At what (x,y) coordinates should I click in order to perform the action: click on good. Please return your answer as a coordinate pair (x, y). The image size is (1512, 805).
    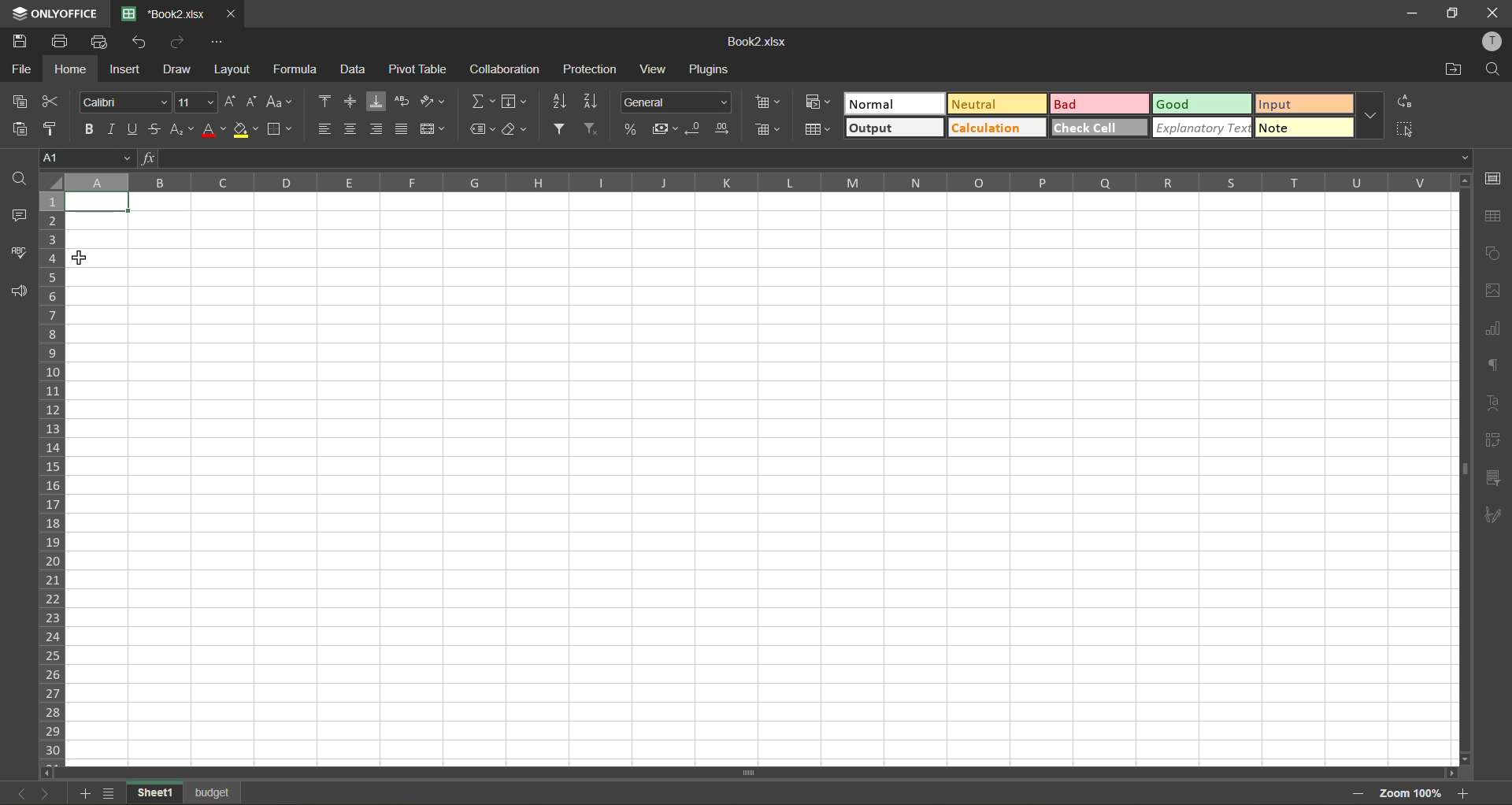
    Looking at the image, I should click on (1200, 103).